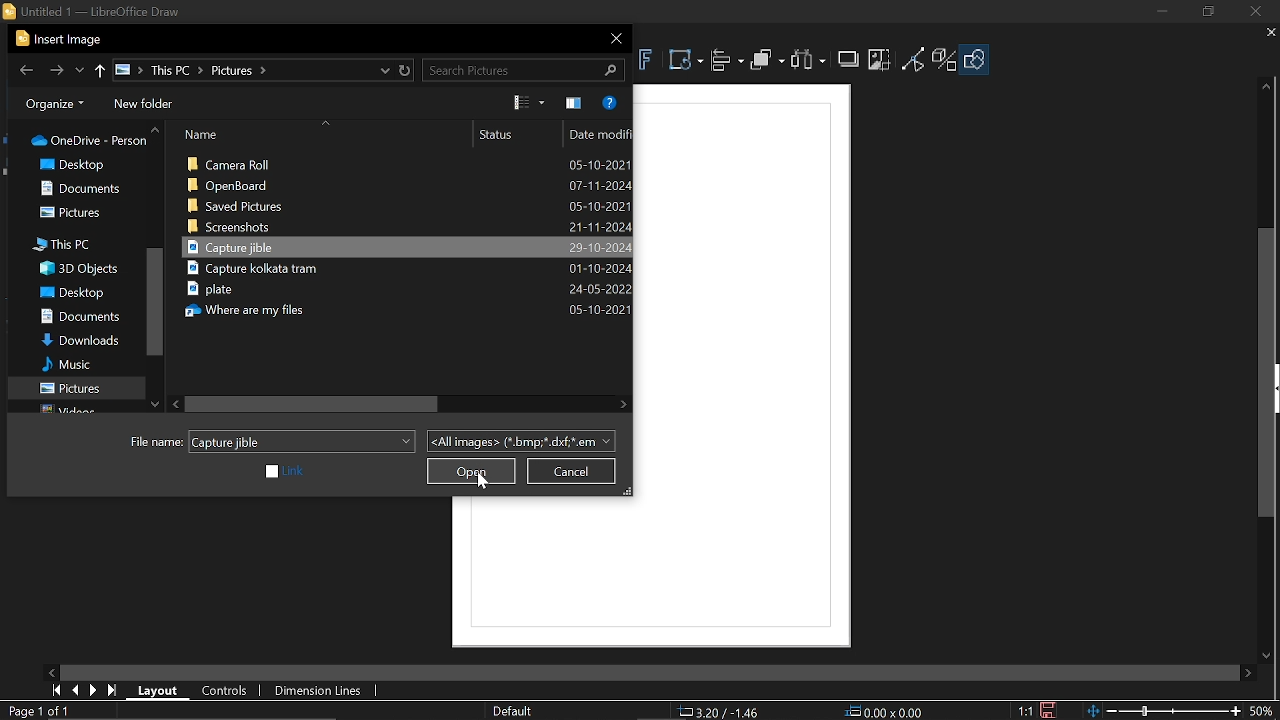 This screenshot has height=720, width=1280. I want to click on Folders, so click(78, 272).